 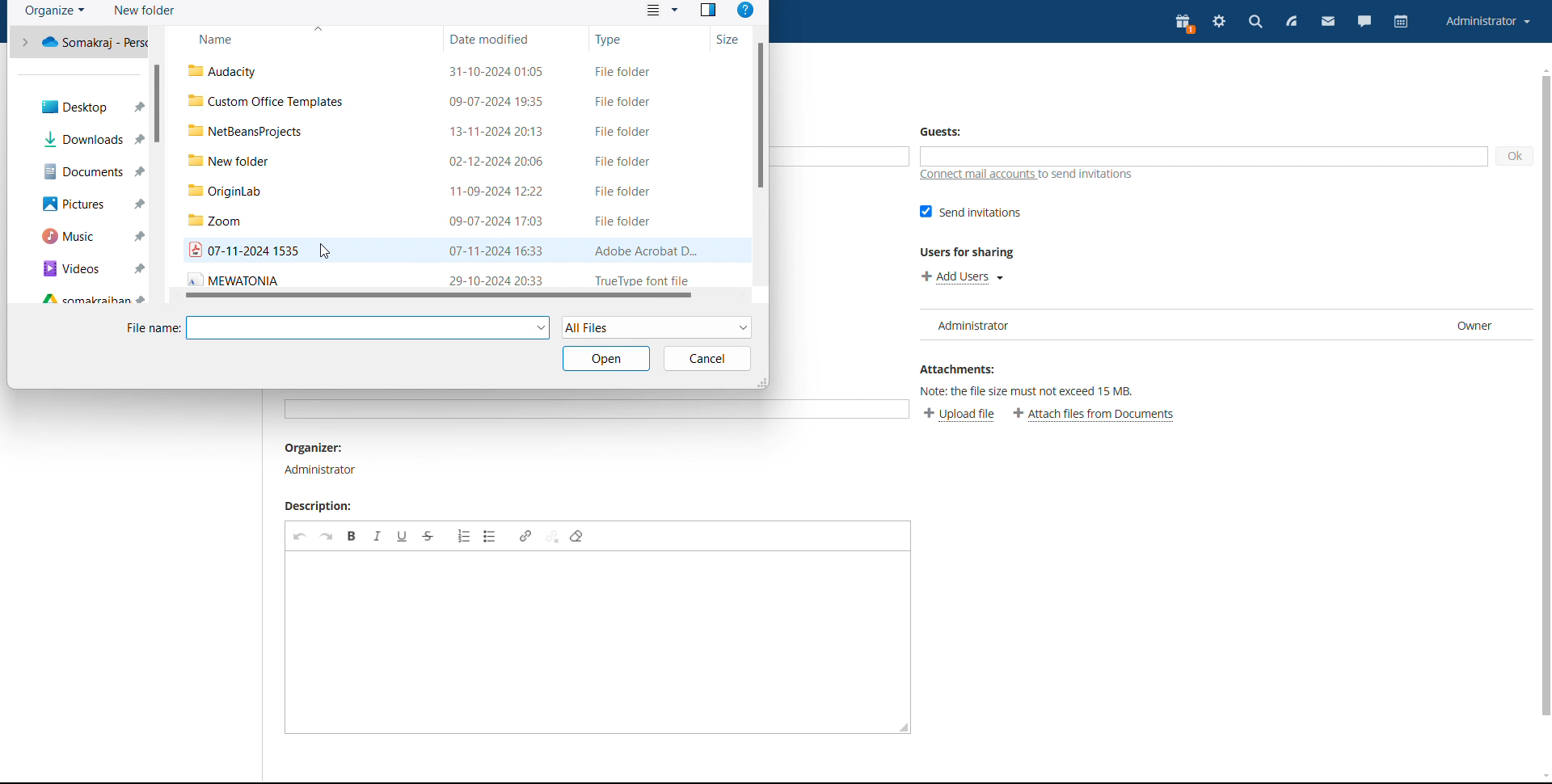 What do you see at coordinates (352, 536) in the screenshot?
I see `bold` at bounding box center [352, 536].